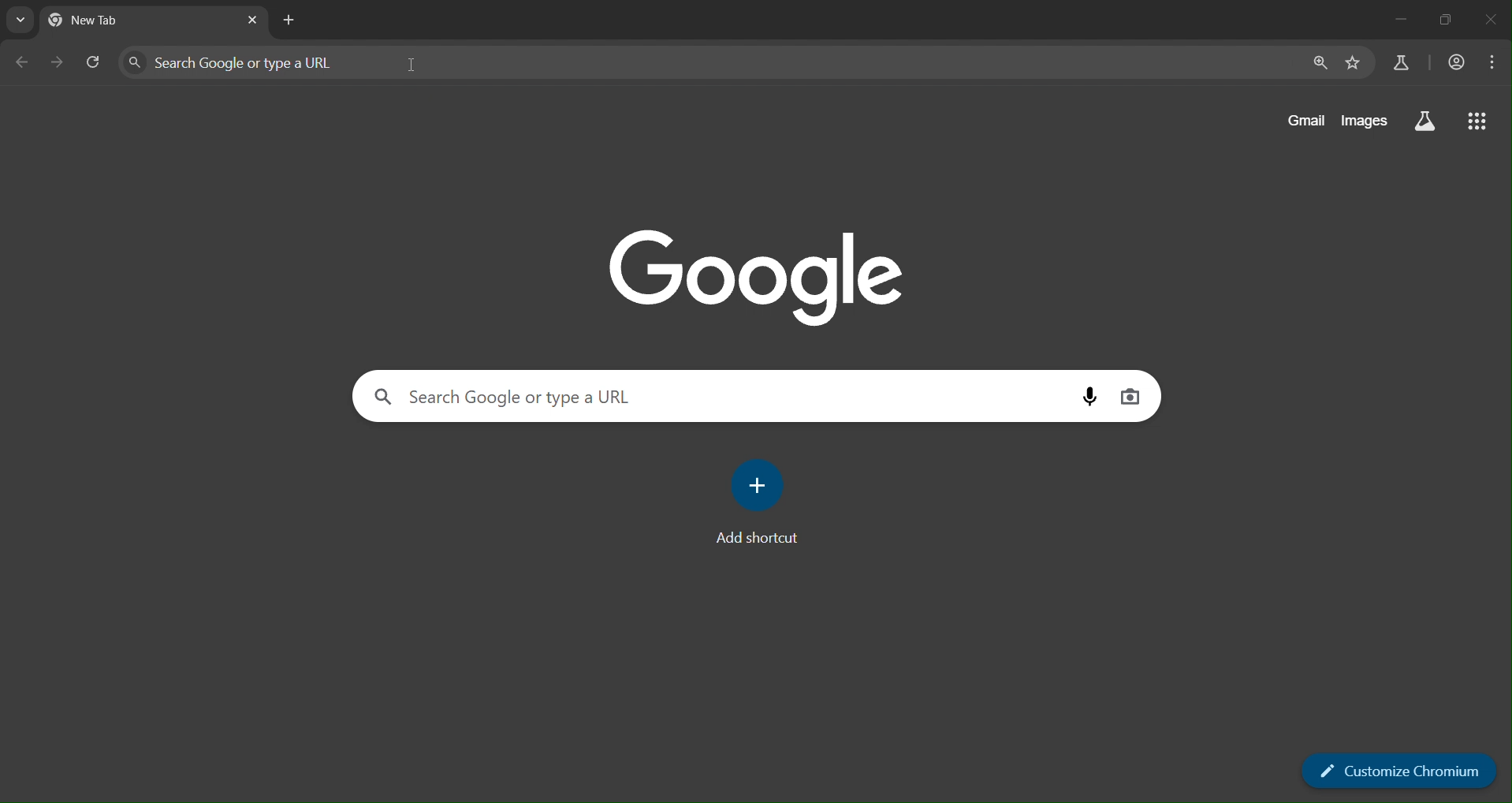 Image resolution: width=1512 pixels, height=803 pixels. Describe the element at coordinates (1354, 64) in the screenshot. I see `bookmark page` at that location.